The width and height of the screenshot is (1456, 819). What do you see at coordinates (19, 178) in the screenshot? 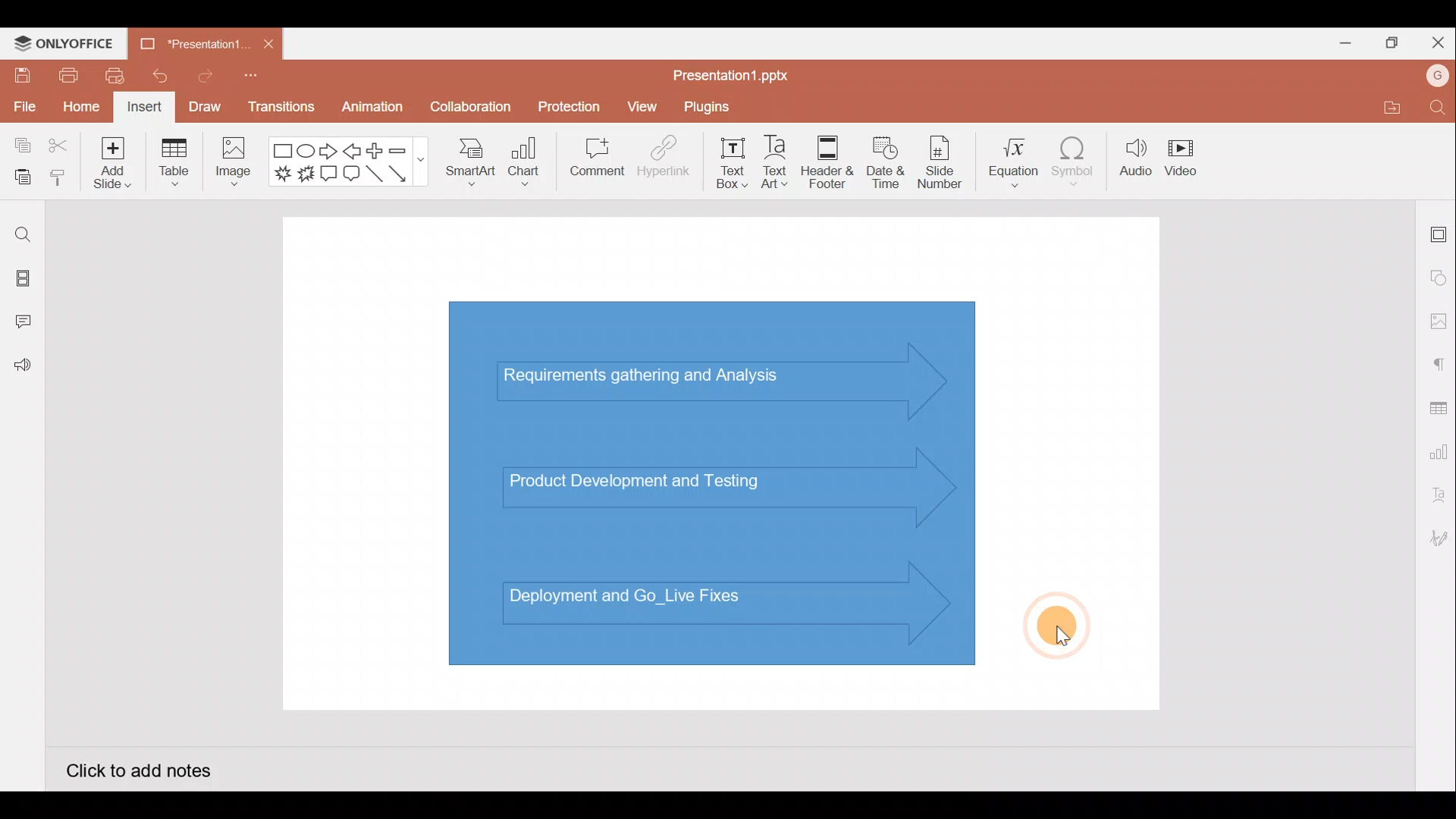
I see `Paste` at bounding box center [19, 178].